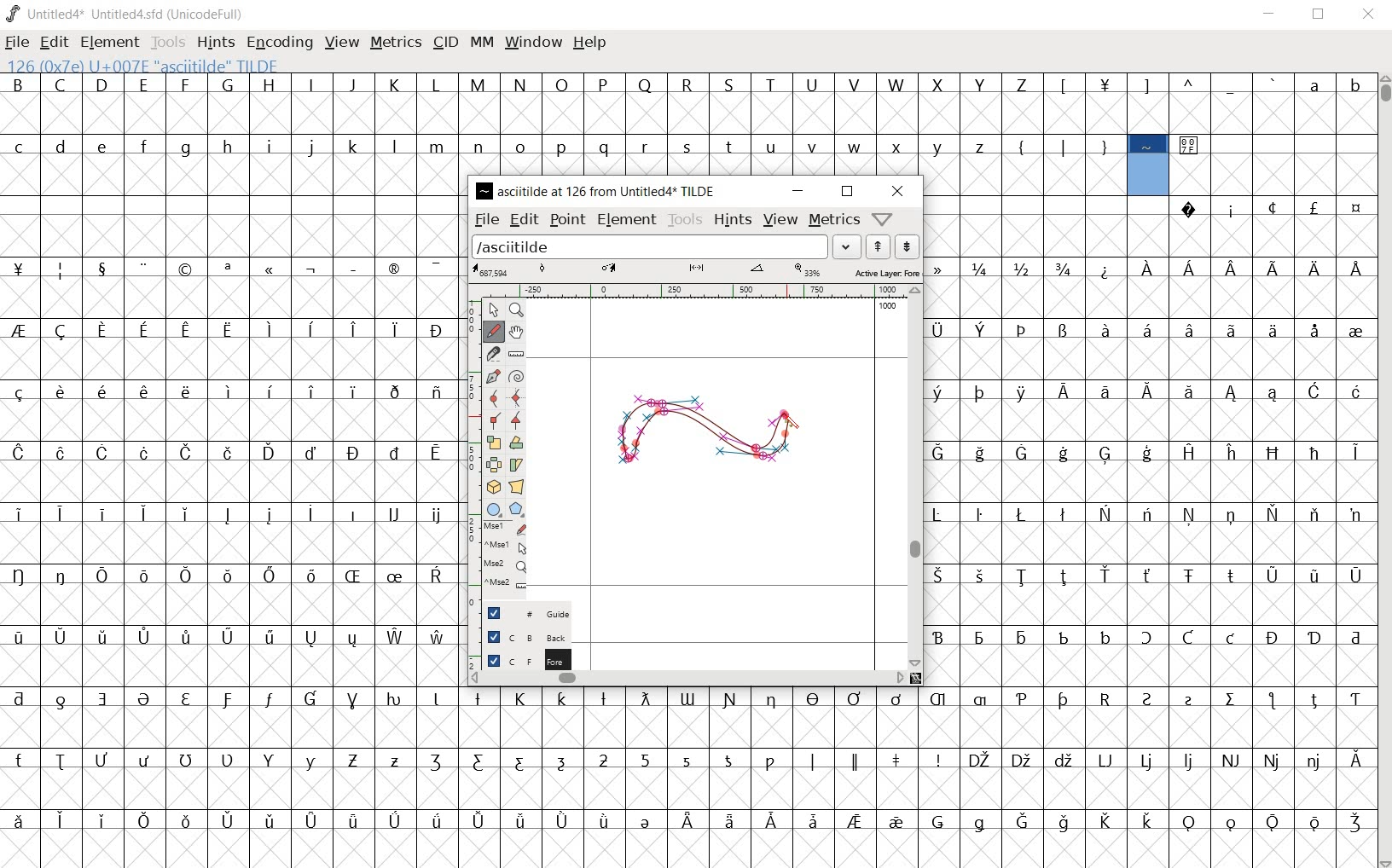  I want to click on point, so click(568, 220).